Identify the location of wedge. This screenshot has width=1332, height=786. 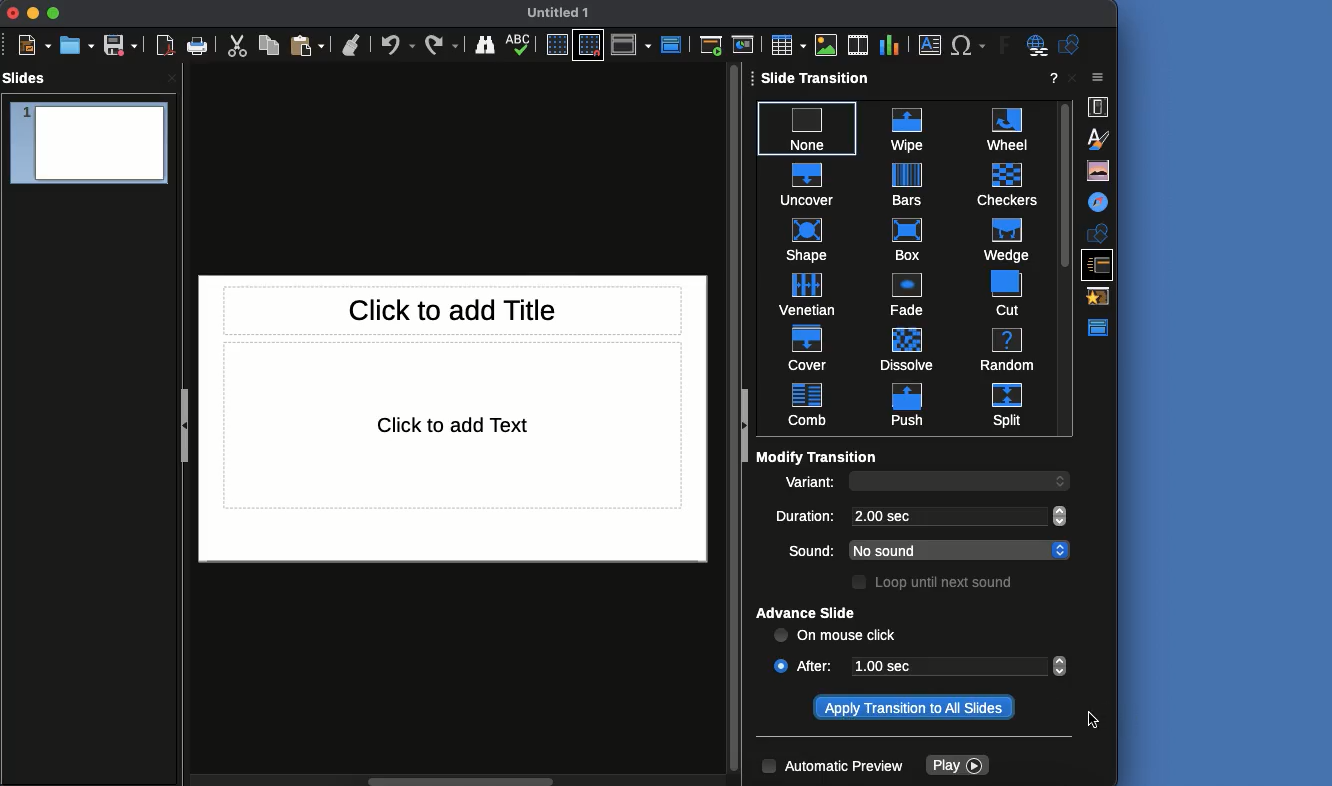
(1002, 238).